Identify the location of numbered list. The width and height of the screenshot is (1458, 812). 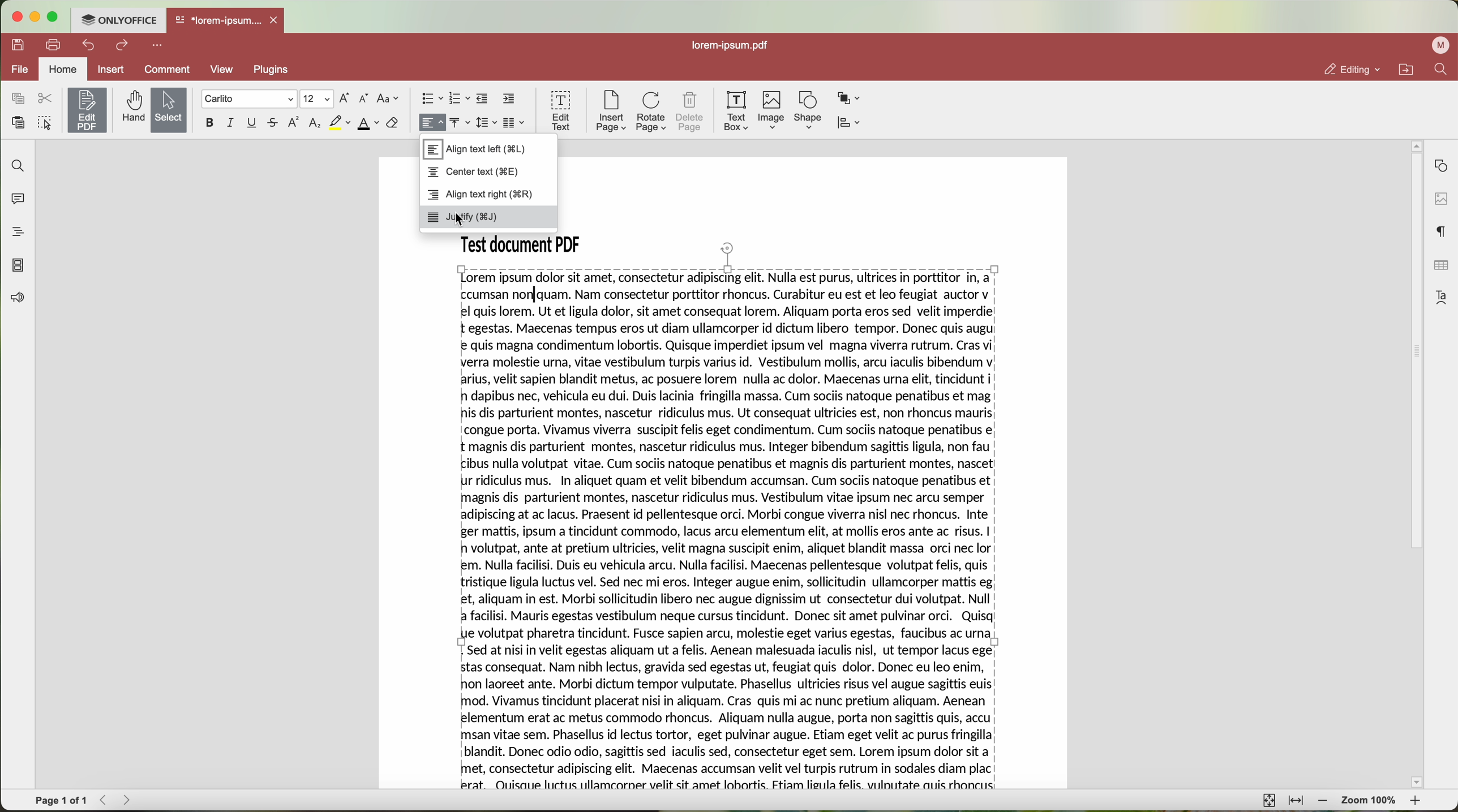
(458, 99).